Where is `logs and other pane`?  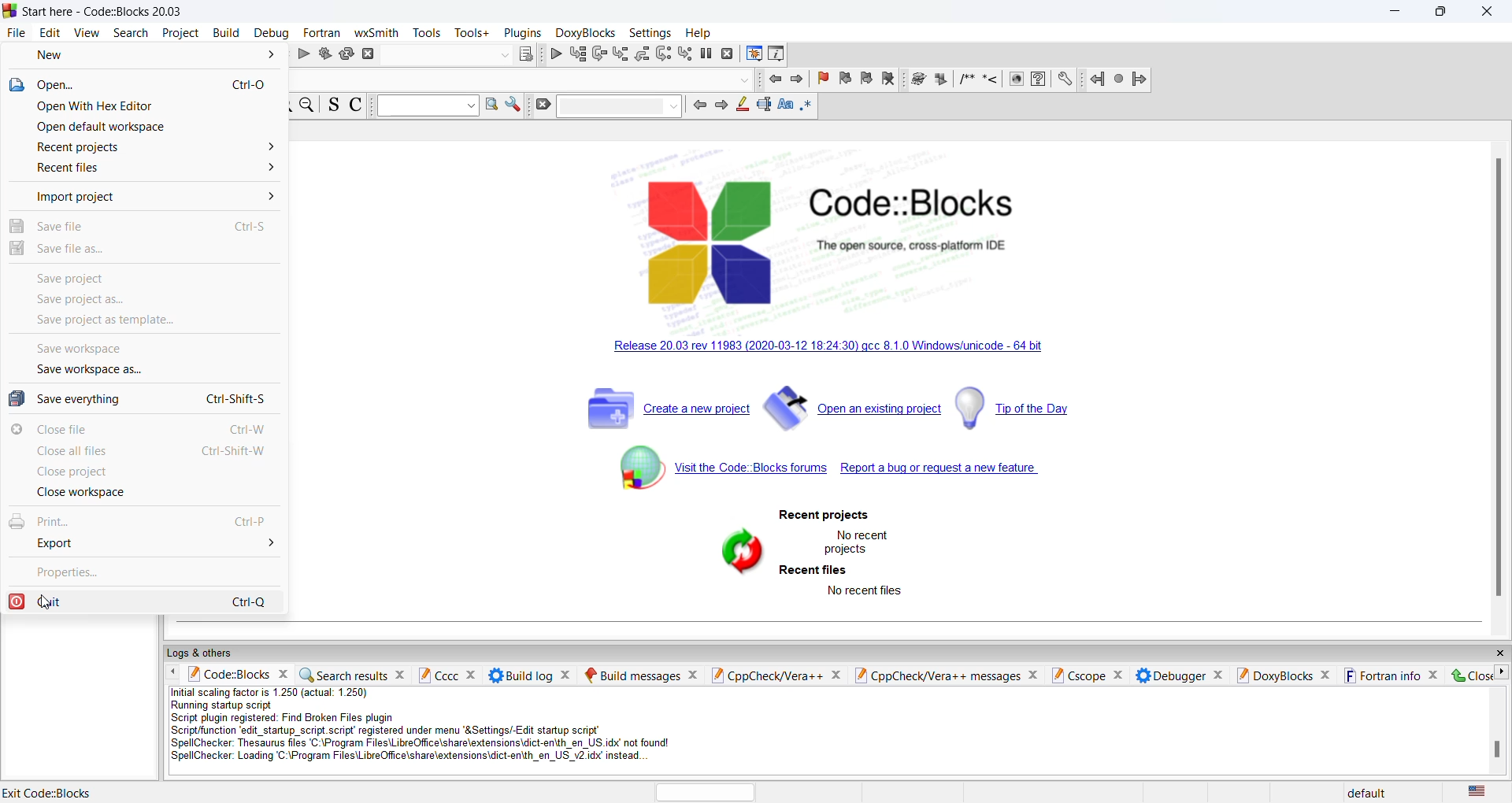 logs and other pane is located at coordinates (835, 653).